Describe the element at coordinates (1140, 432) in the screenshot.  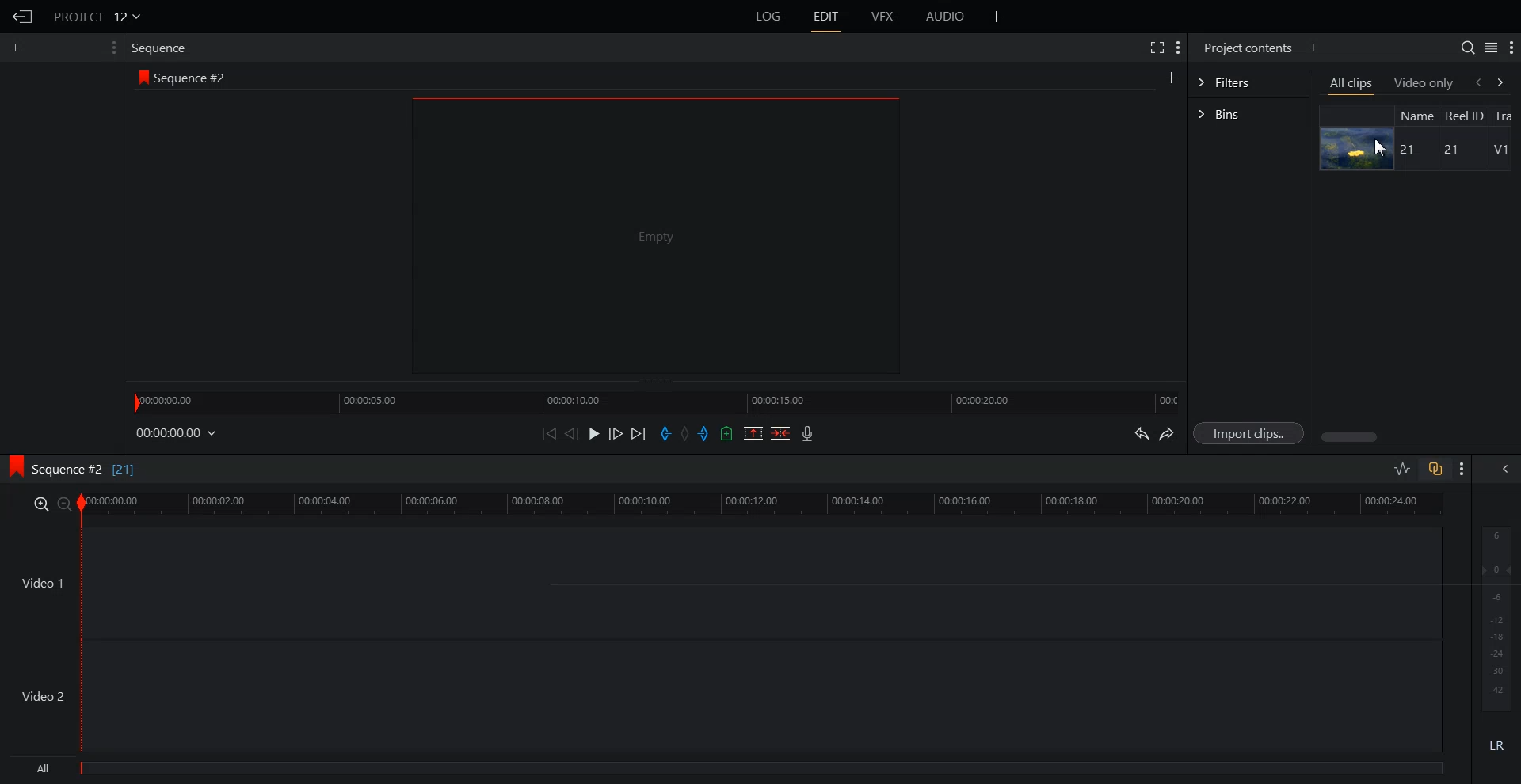
I see `Undo` at that location.